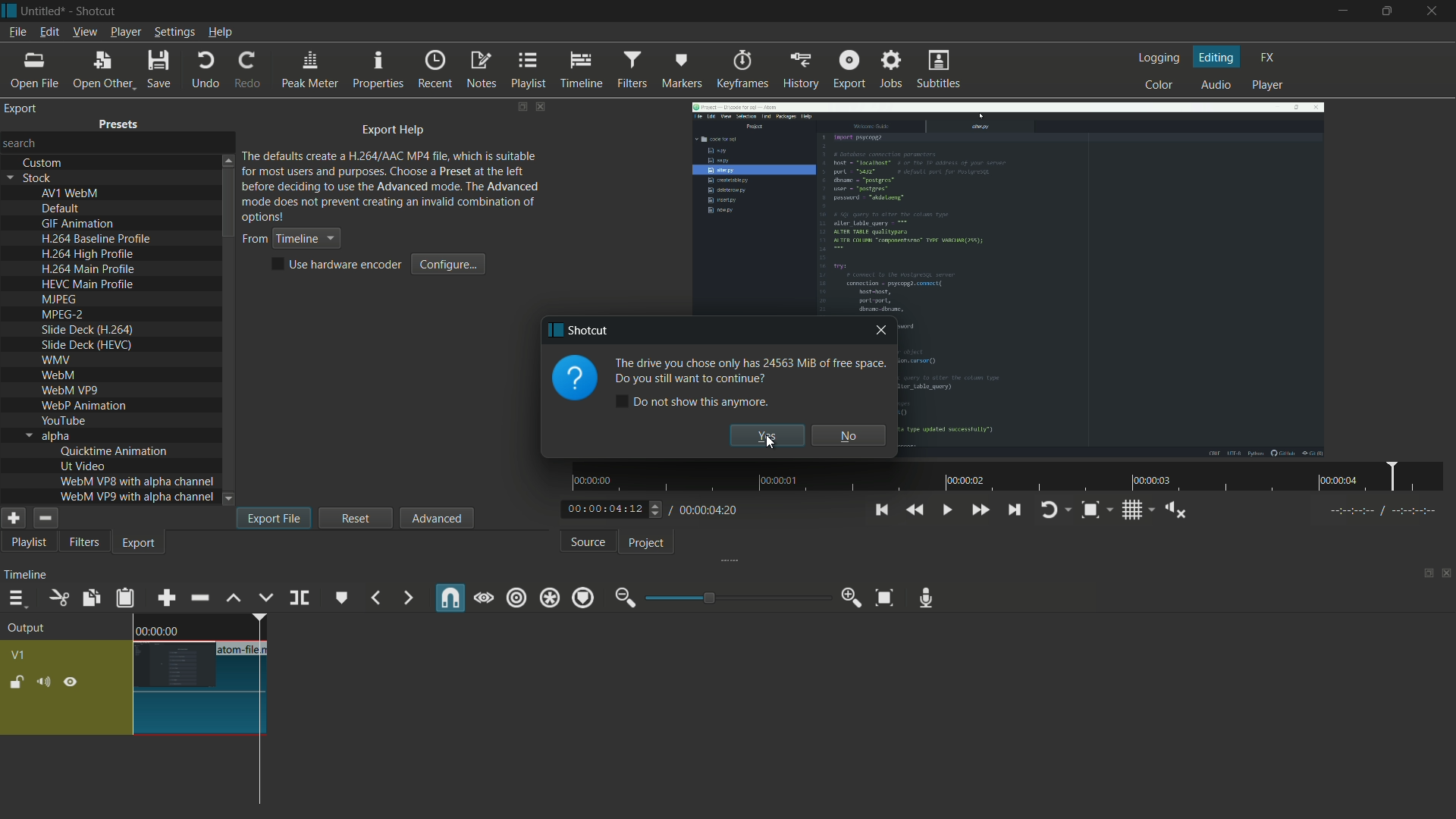 The image size is (1456, 819). I want to click on question mark, so click(573, 379).